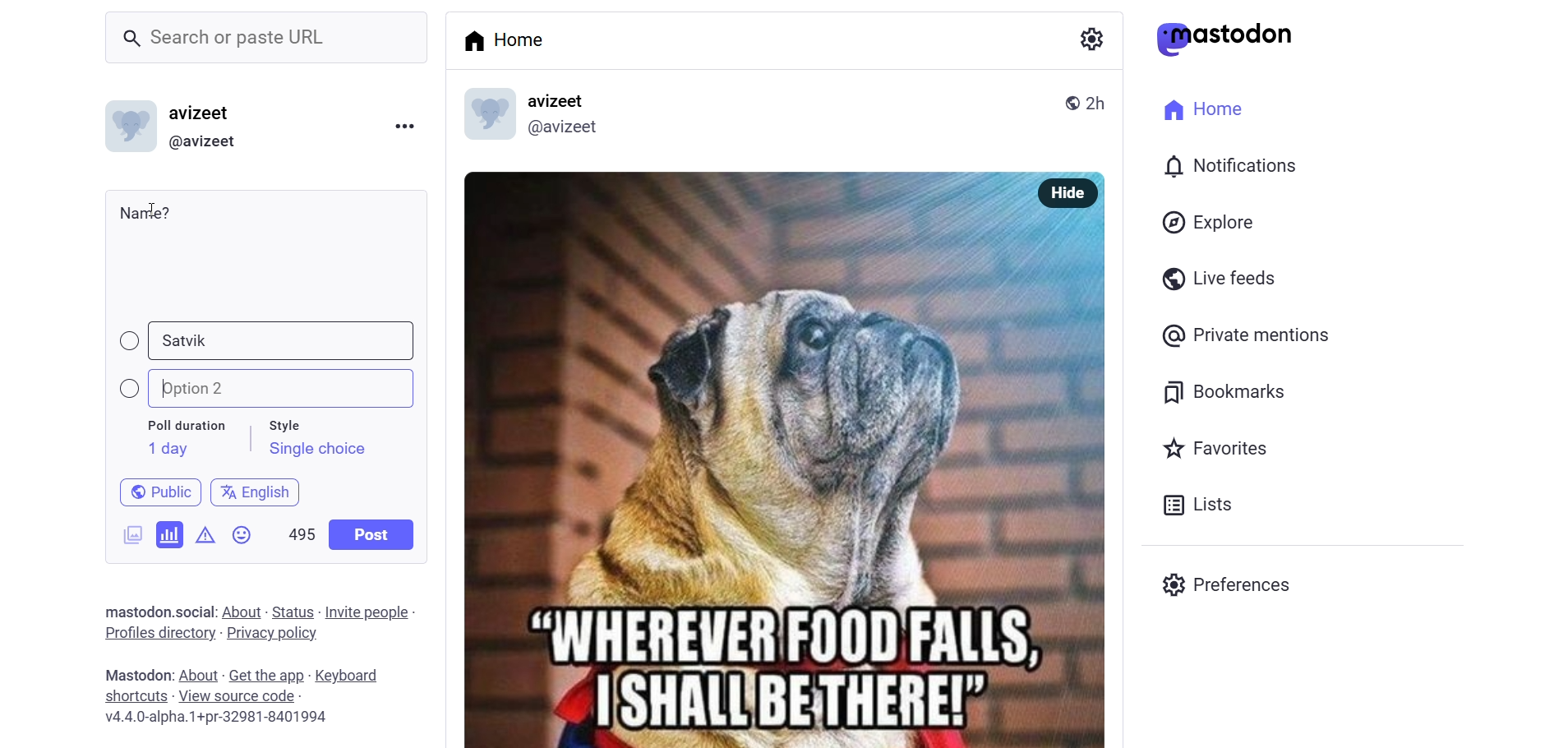 This screenshot has height=748, width=1568. I want to click on mastodon, so click(1225, 39).